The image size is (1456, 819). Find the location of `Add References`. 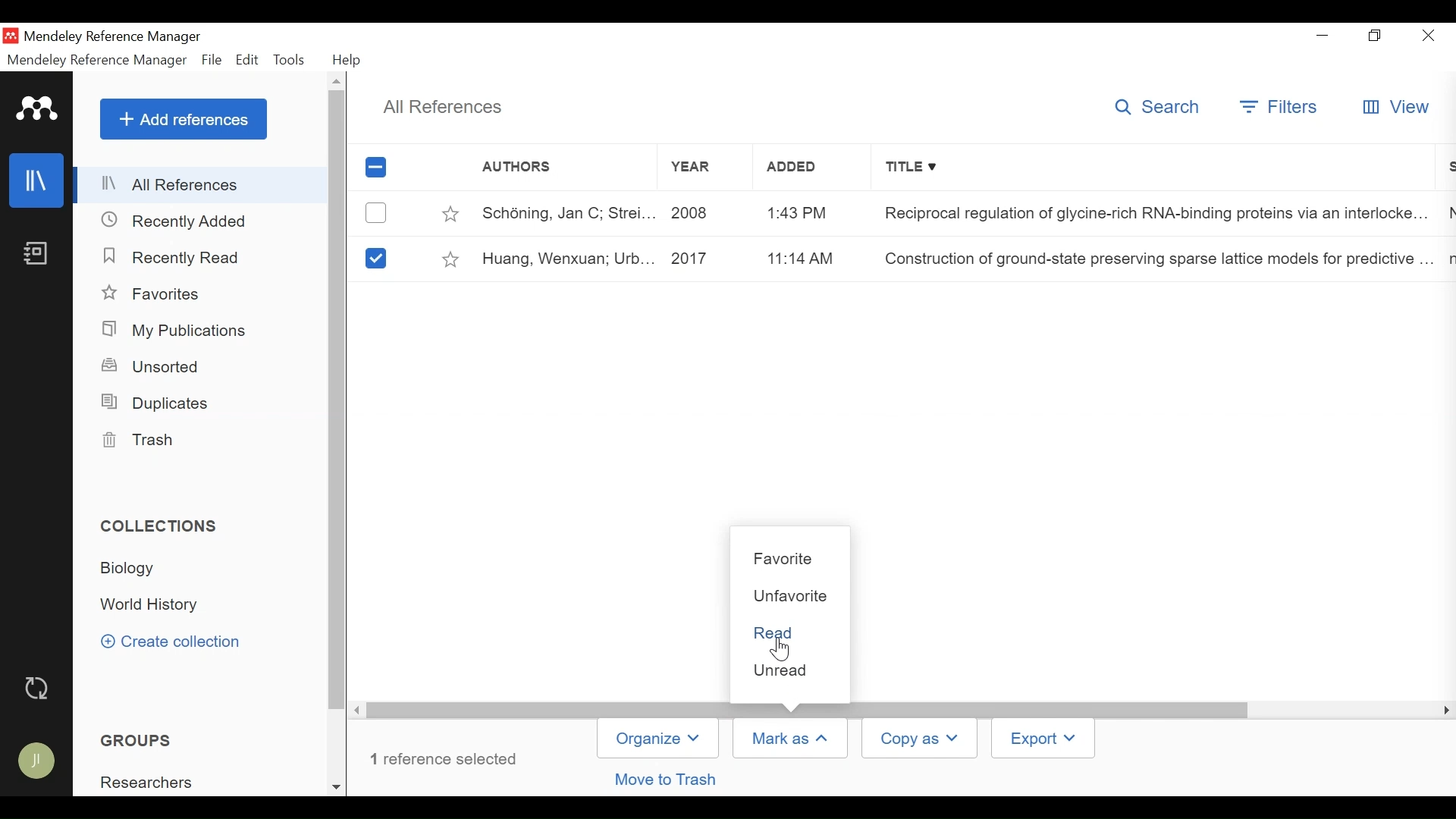

Add References is located at coordinates (184, 118).